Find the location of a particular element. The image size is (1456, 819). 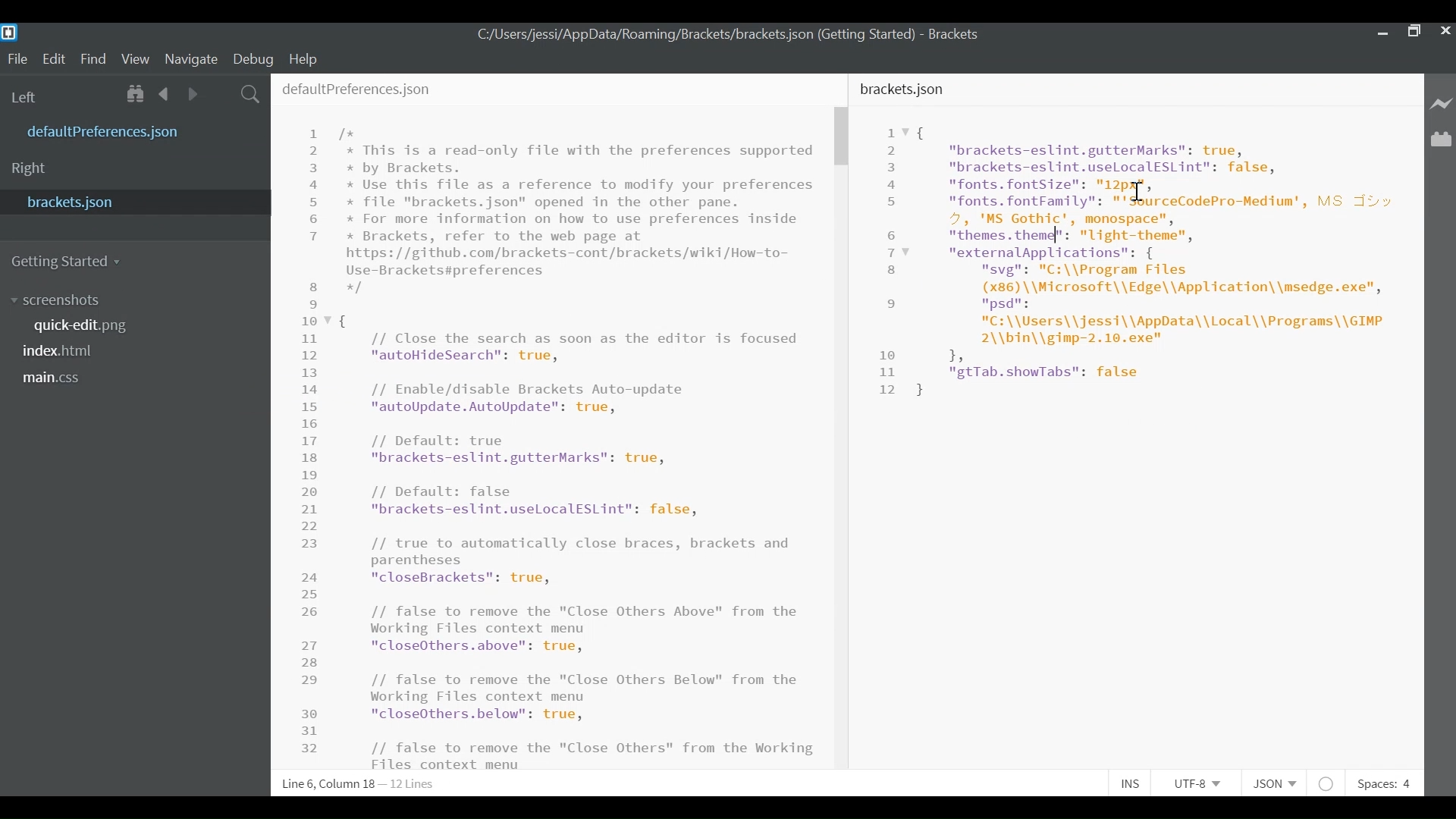

Show in File Tree is located at coordinates (138, 95).